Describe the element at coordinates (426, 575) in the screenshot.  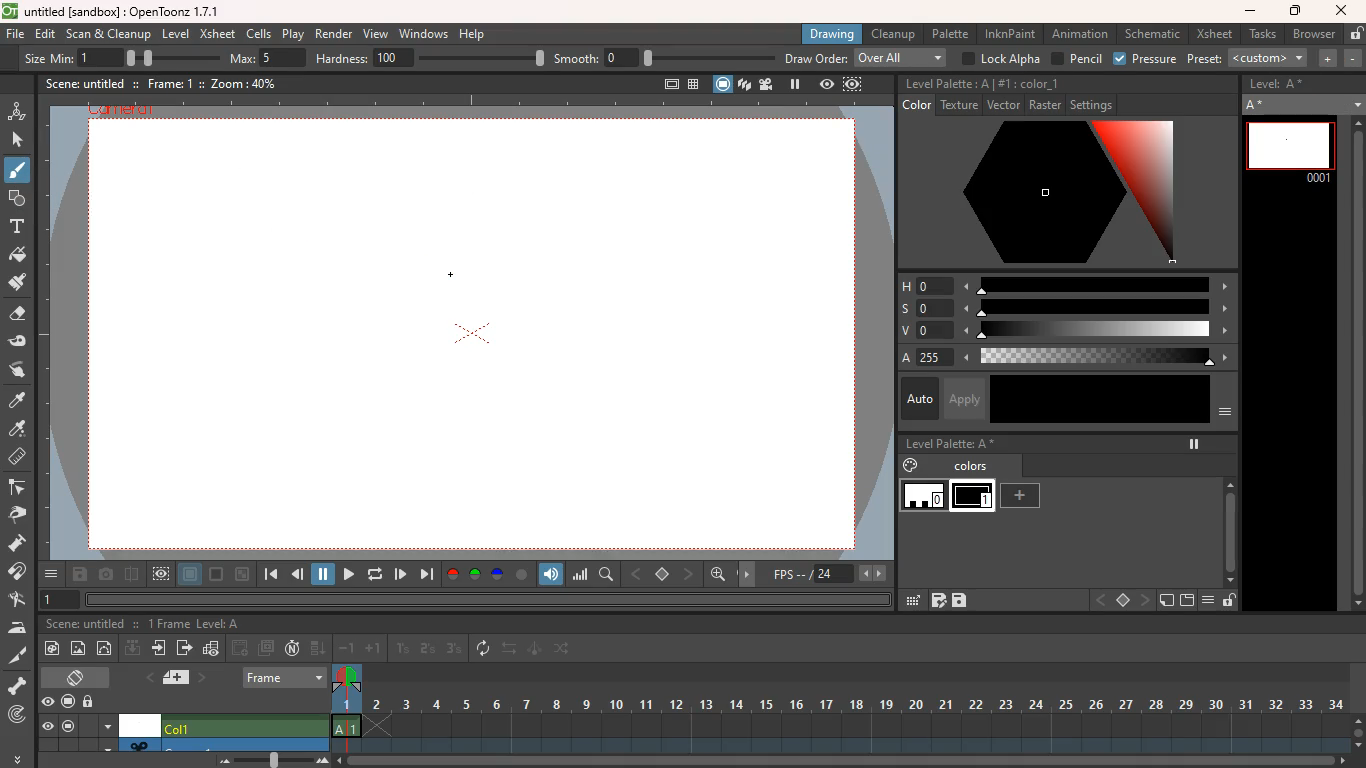
I see `forward` at that location.